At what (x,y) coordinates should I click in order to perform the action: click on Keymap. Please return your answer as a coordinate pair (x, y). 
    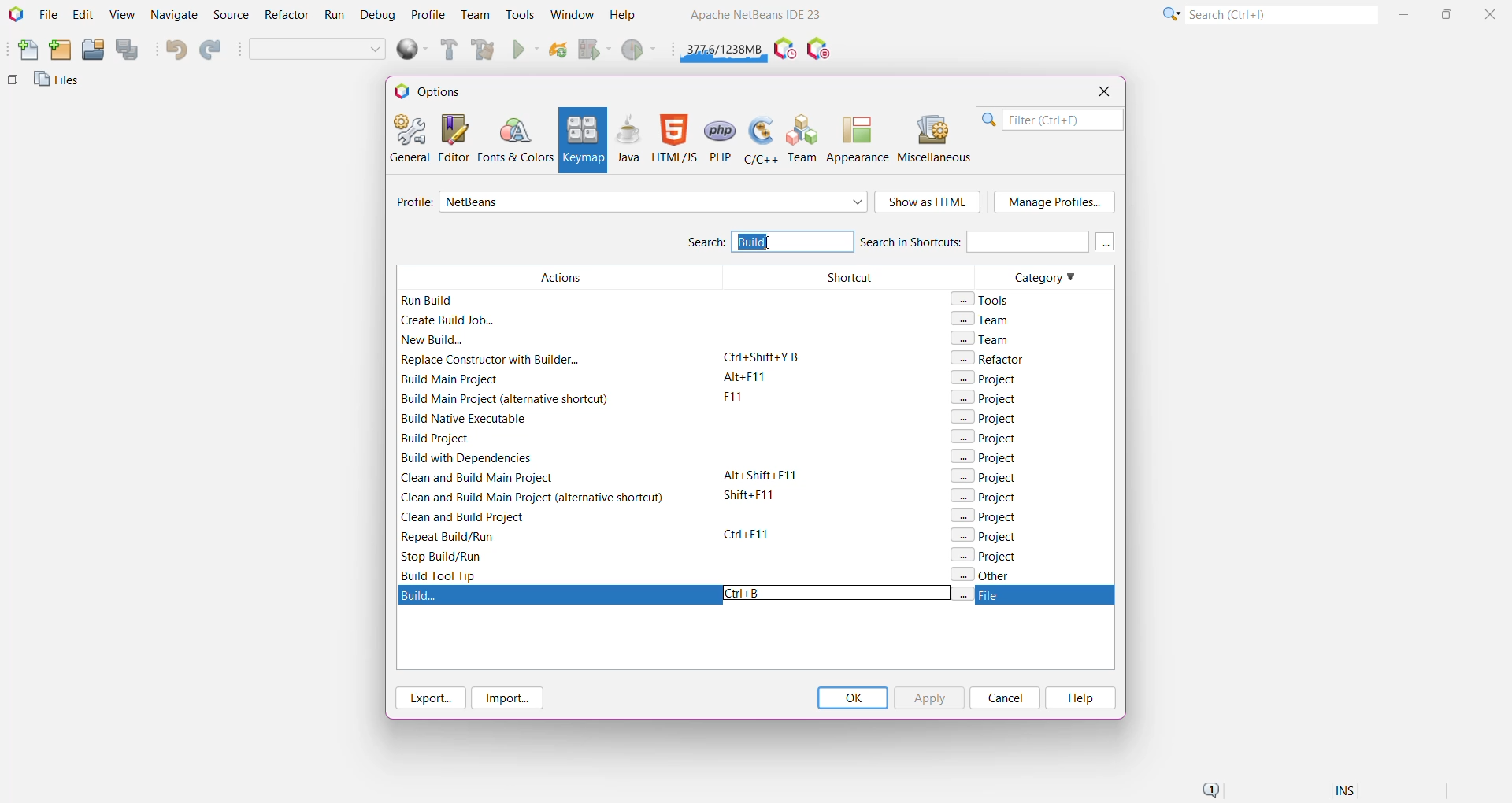
    Looking at the image, I should click on (581, 140).